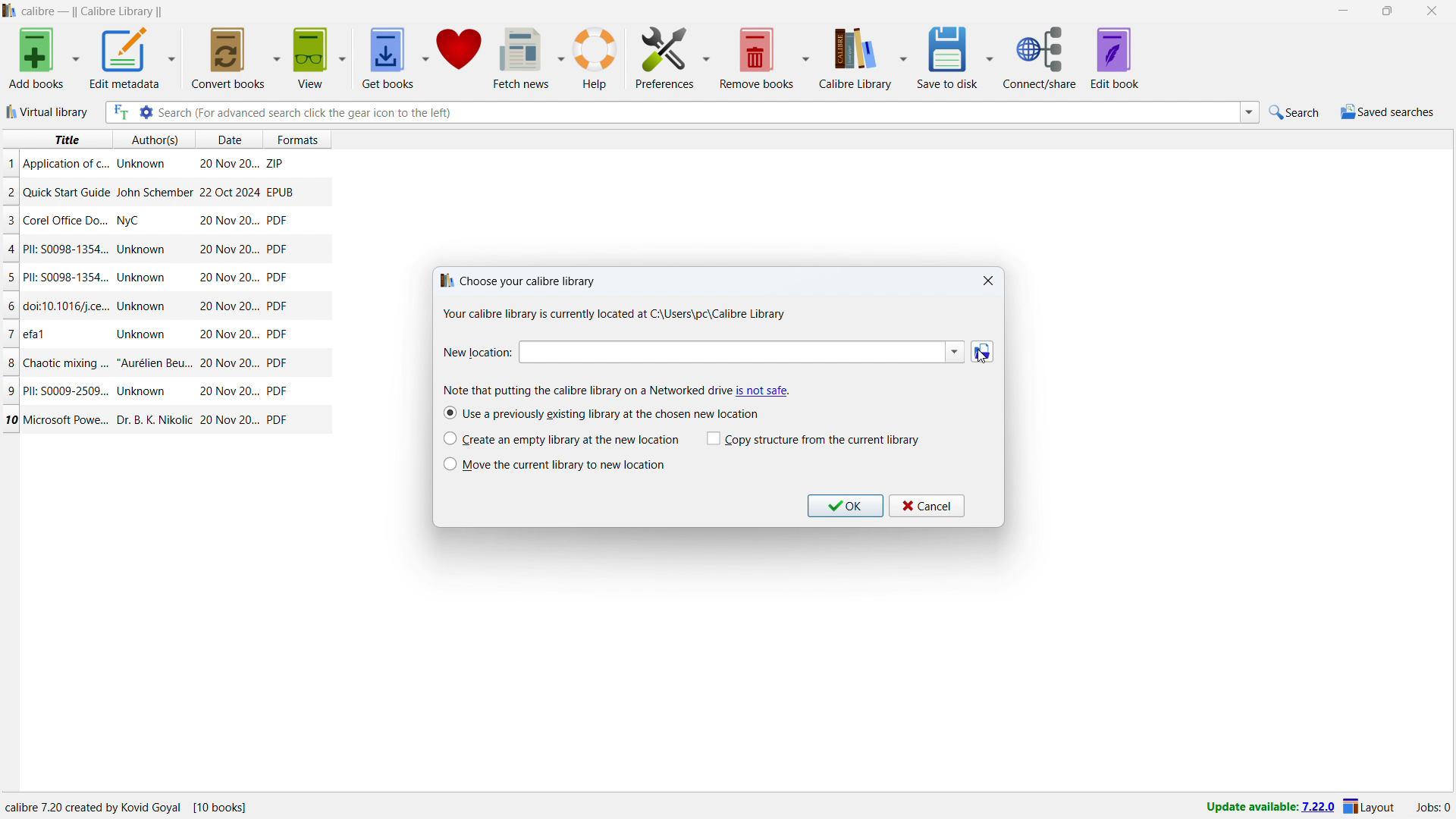  What do you see at coordinates (11, 163) in the screenshot?
I see `1` at bounding box center [11, 163].